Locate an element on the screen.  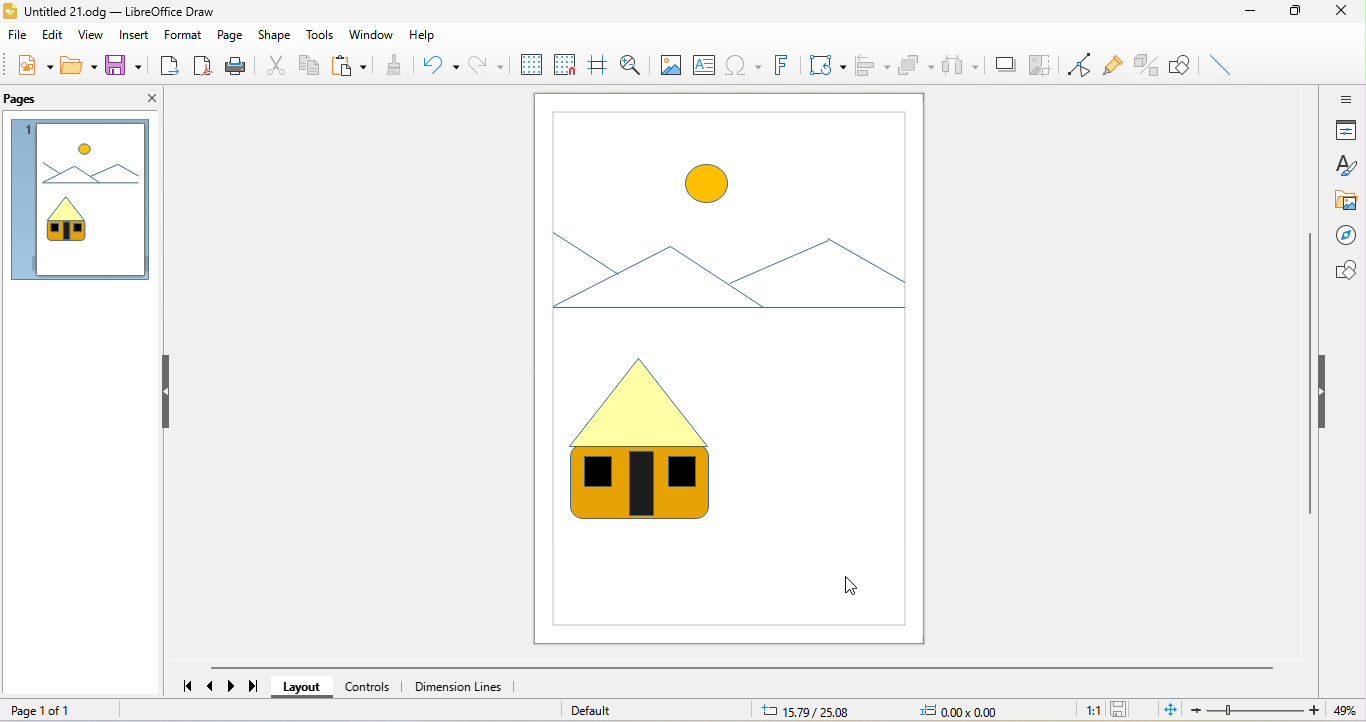
shapes is located at coordinates (1342, 271).